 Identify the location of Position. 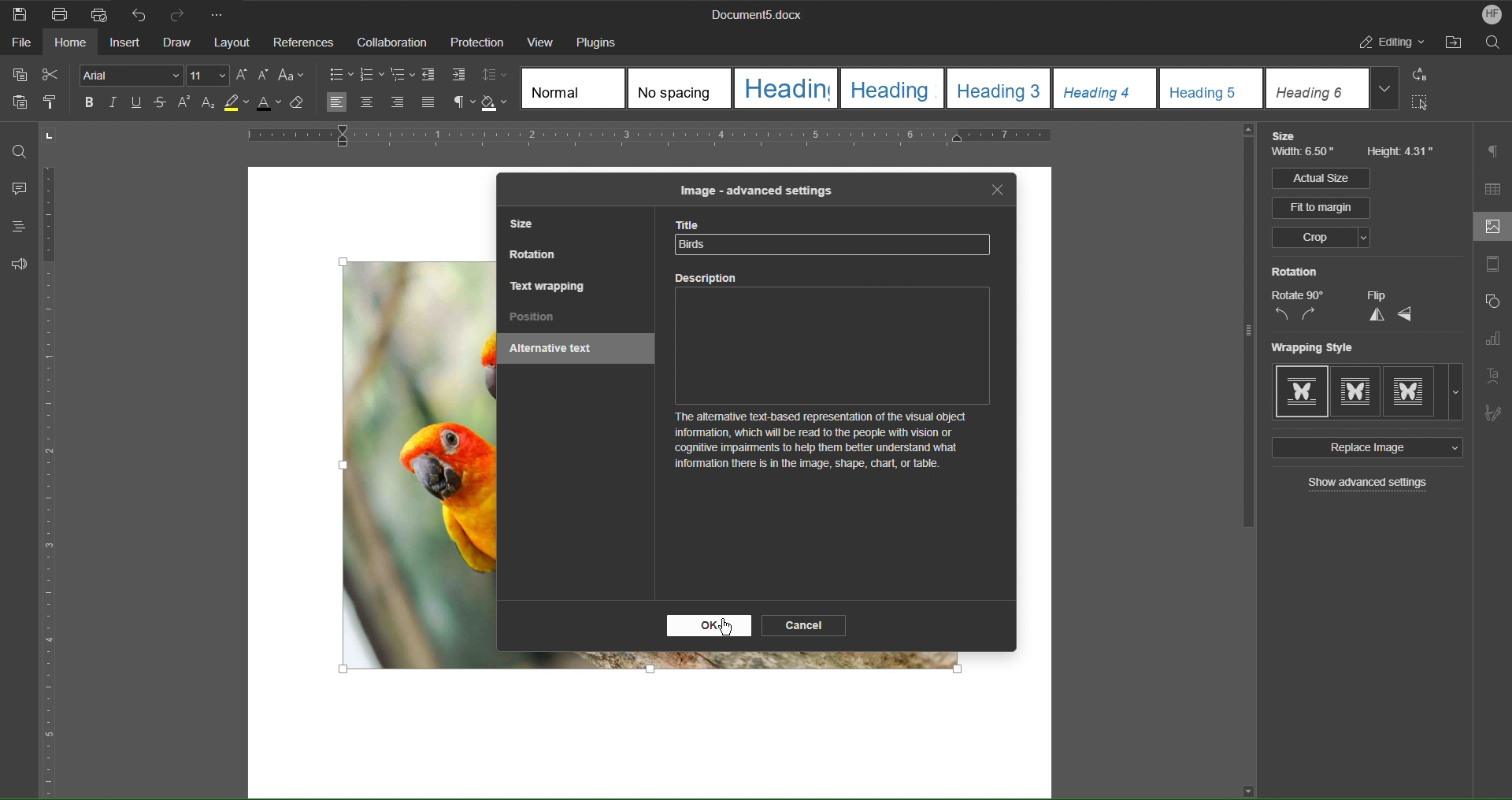
(533, 318).